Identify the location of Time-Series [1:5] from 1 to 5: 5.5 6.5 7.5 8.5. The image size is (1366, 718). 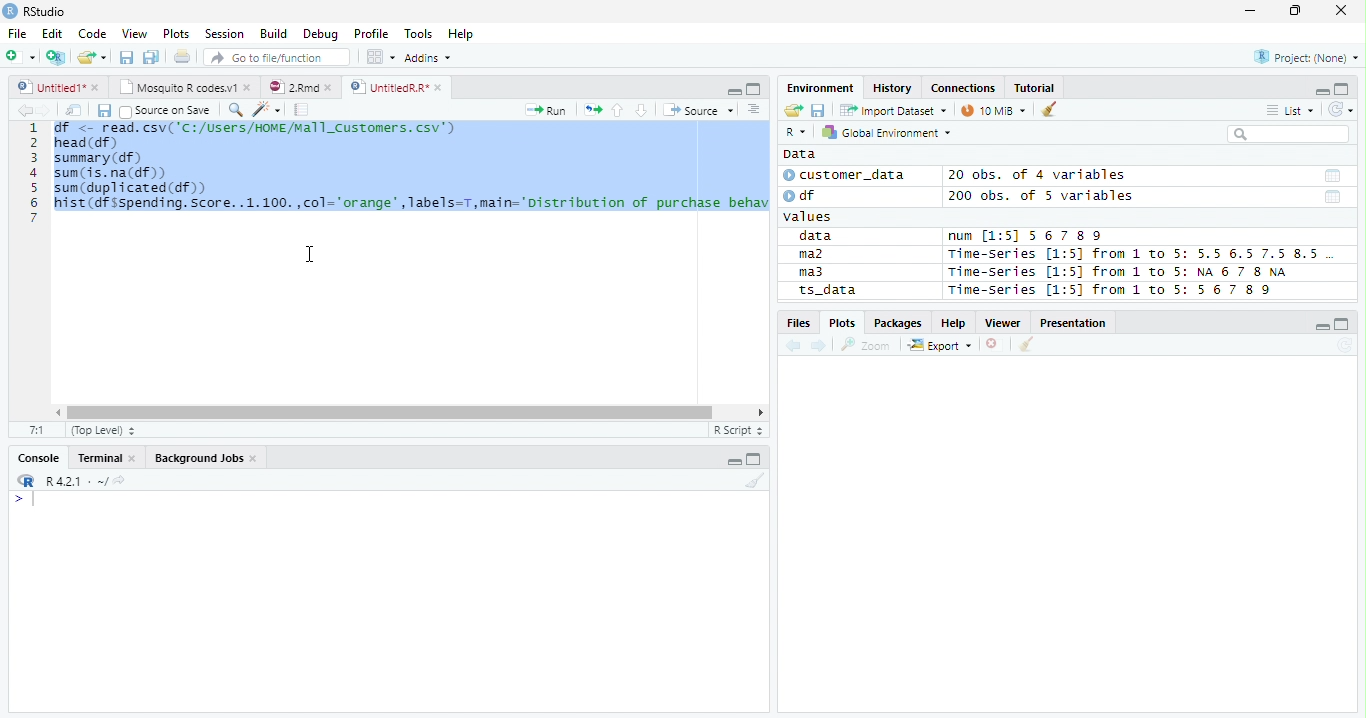
(1137, 255).